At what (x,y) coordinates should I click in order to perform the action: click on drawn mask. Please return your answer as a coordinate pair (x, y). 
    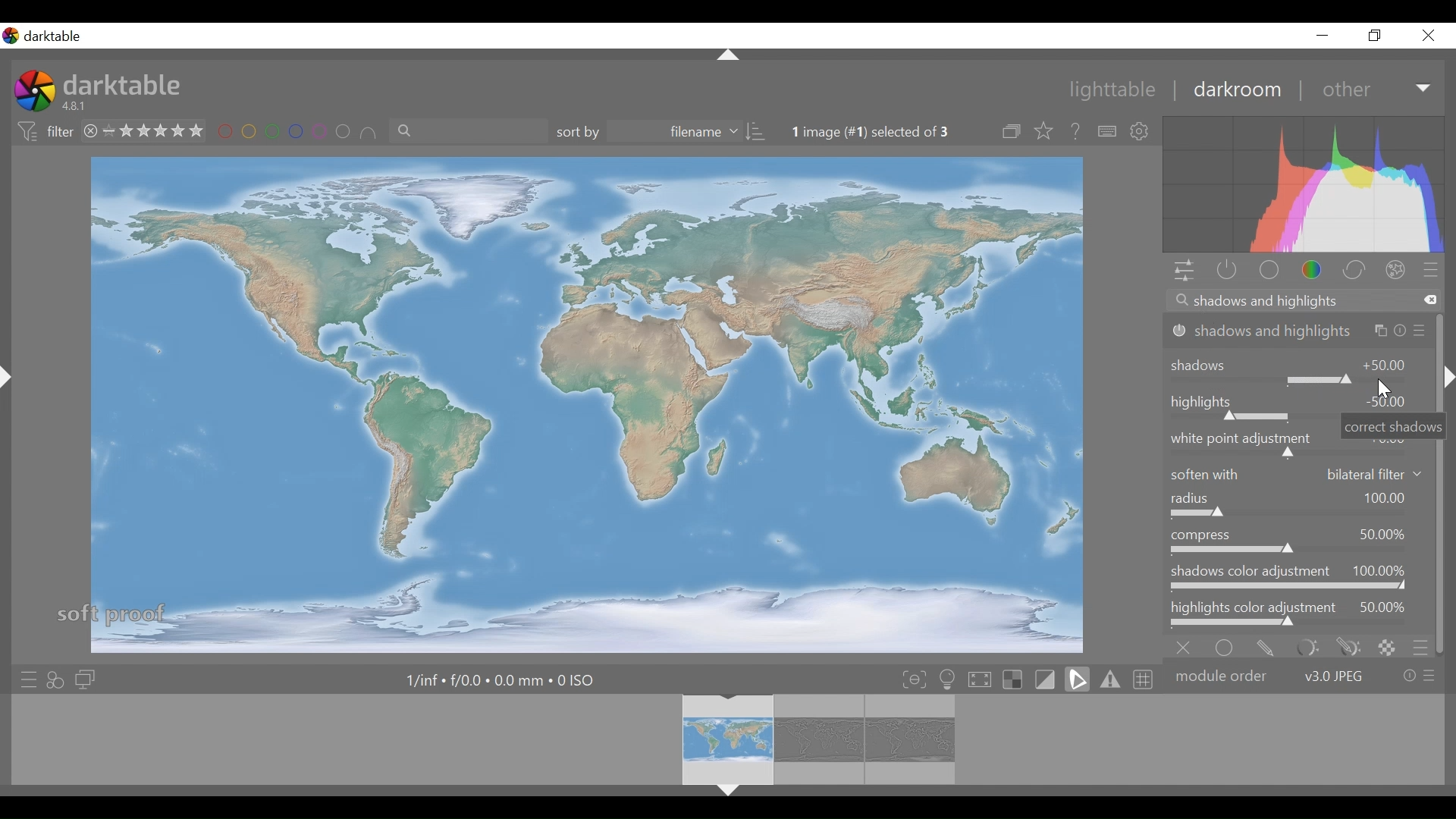
    Looking at the image, I should click on (1266, 646).